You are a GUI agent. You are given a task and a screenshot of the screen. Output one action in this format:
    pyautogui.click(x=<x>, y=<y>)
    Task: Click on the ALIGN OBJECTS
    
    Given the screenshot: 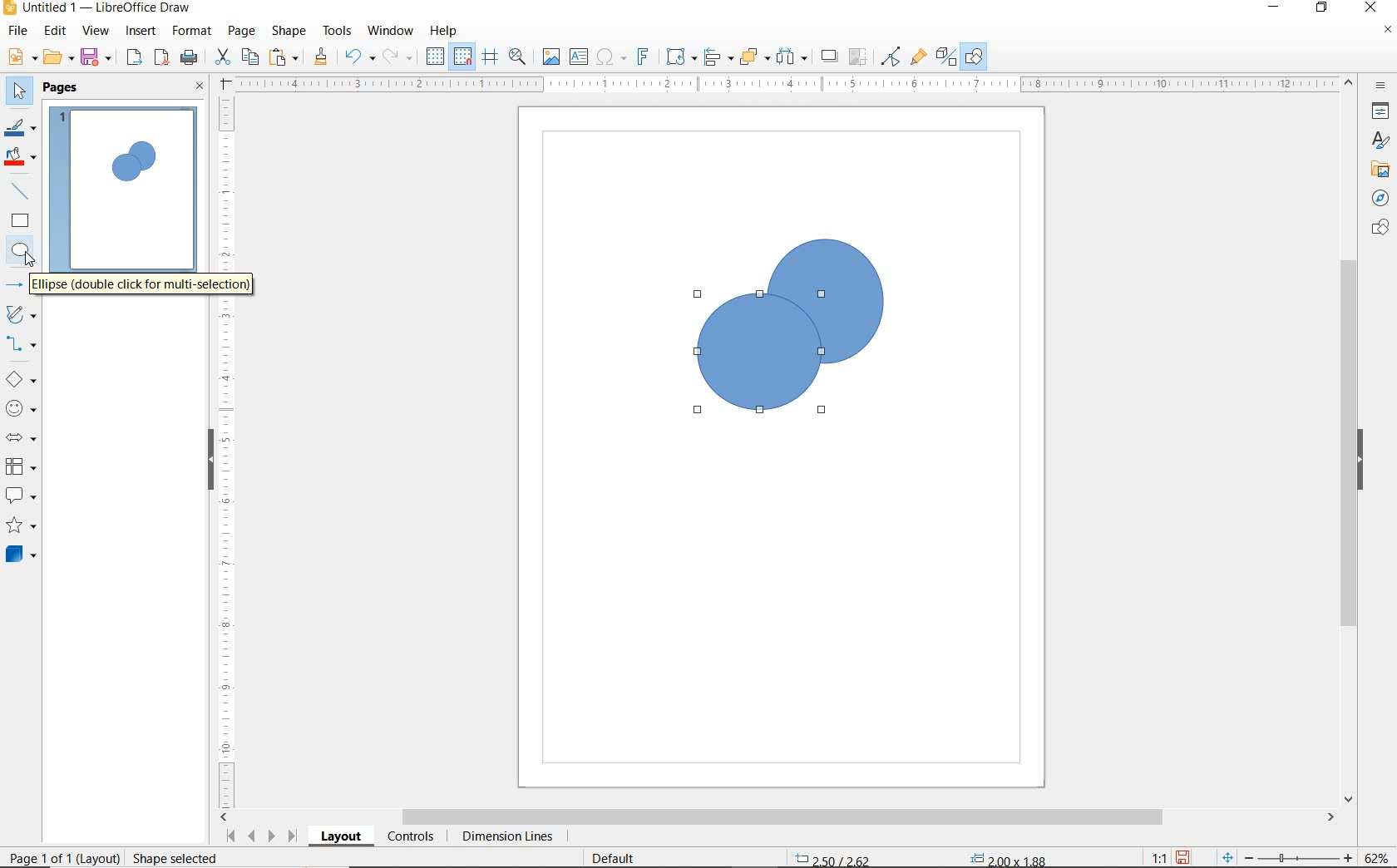 What is the action you would take?
    pyautogui.click(x=717, y=59)
    